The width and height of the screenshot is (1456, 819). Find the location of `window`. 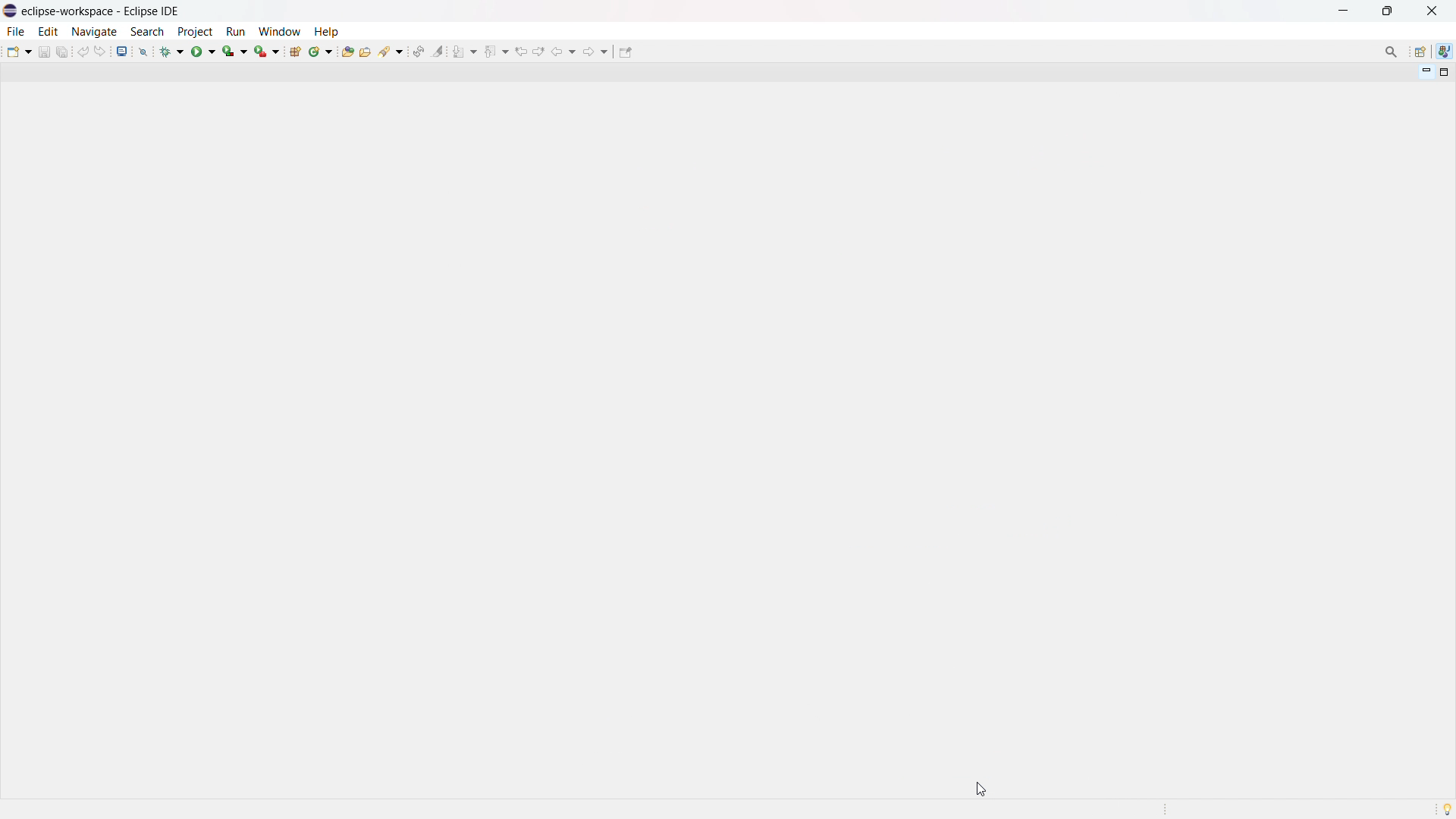

window is located at coordinates (279, 31).